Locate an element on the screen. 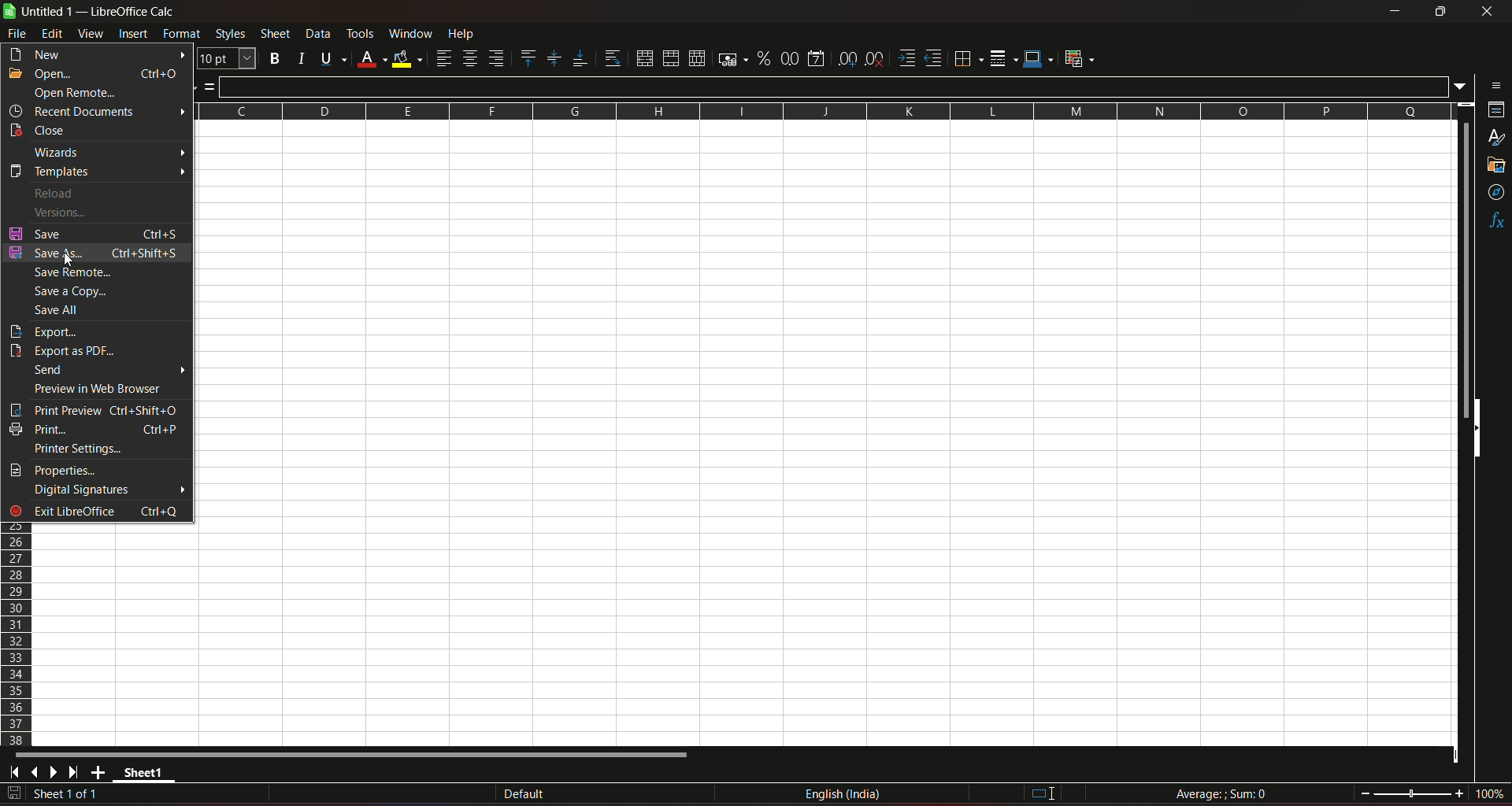 The width and height of the screenshot is (1512, 806). wrap text is located at coordinates (610, 57).